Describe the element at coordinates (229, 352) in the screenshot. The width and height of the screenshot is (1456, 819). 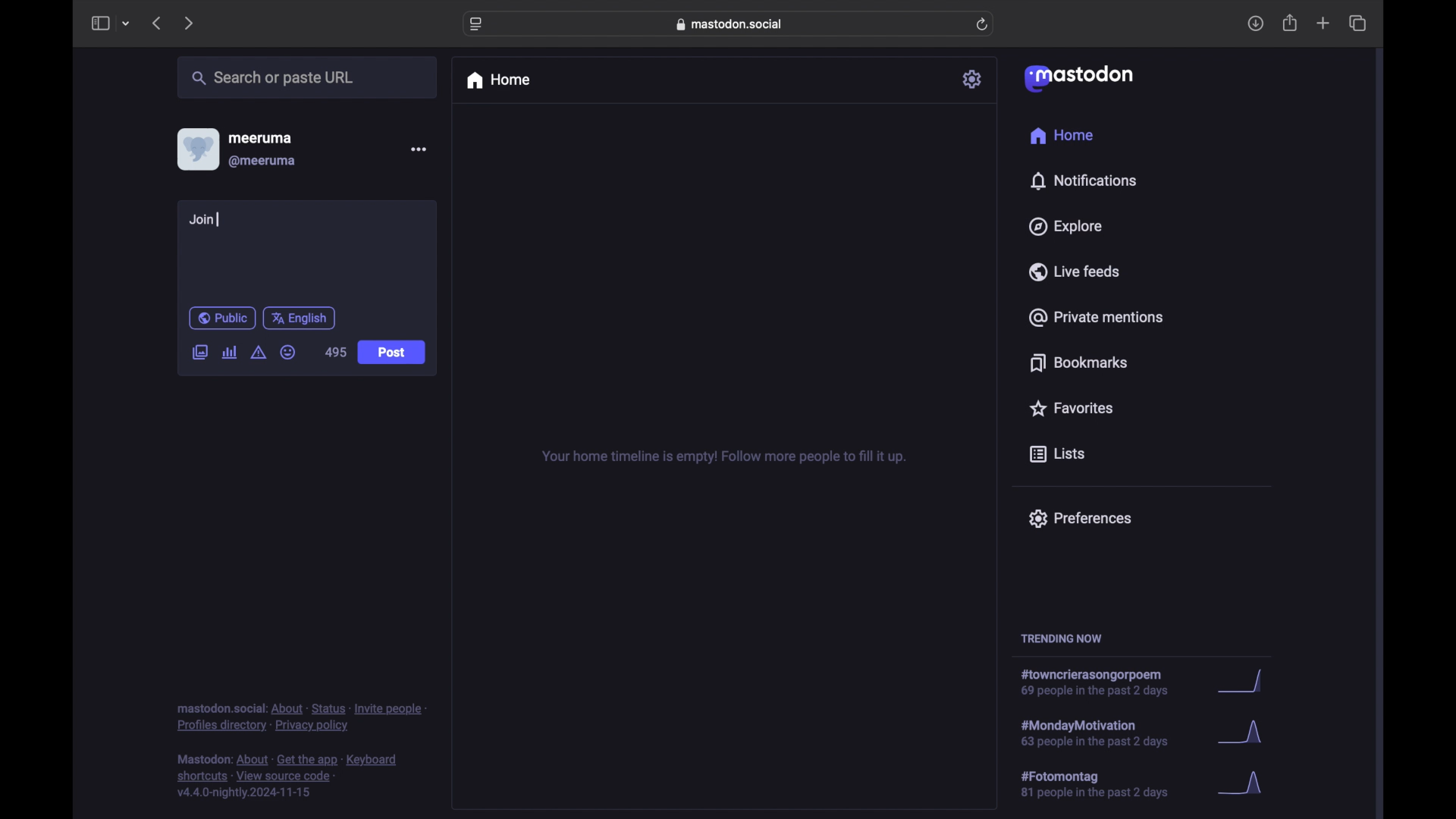
I see `add  poll` at that location.